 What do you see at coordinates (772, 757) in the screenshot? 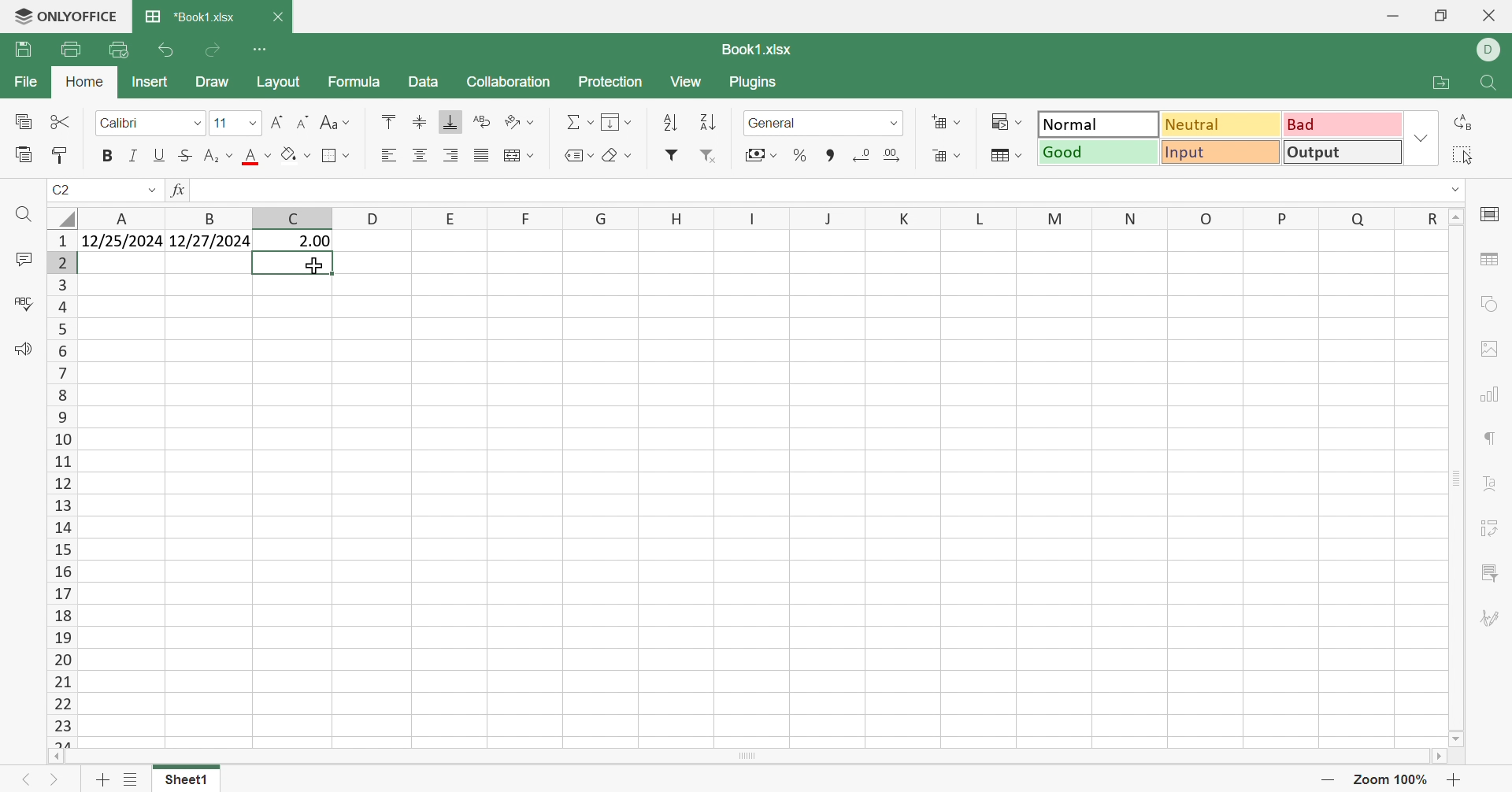
I see `scroll bar` at bounding box center [772, 757].